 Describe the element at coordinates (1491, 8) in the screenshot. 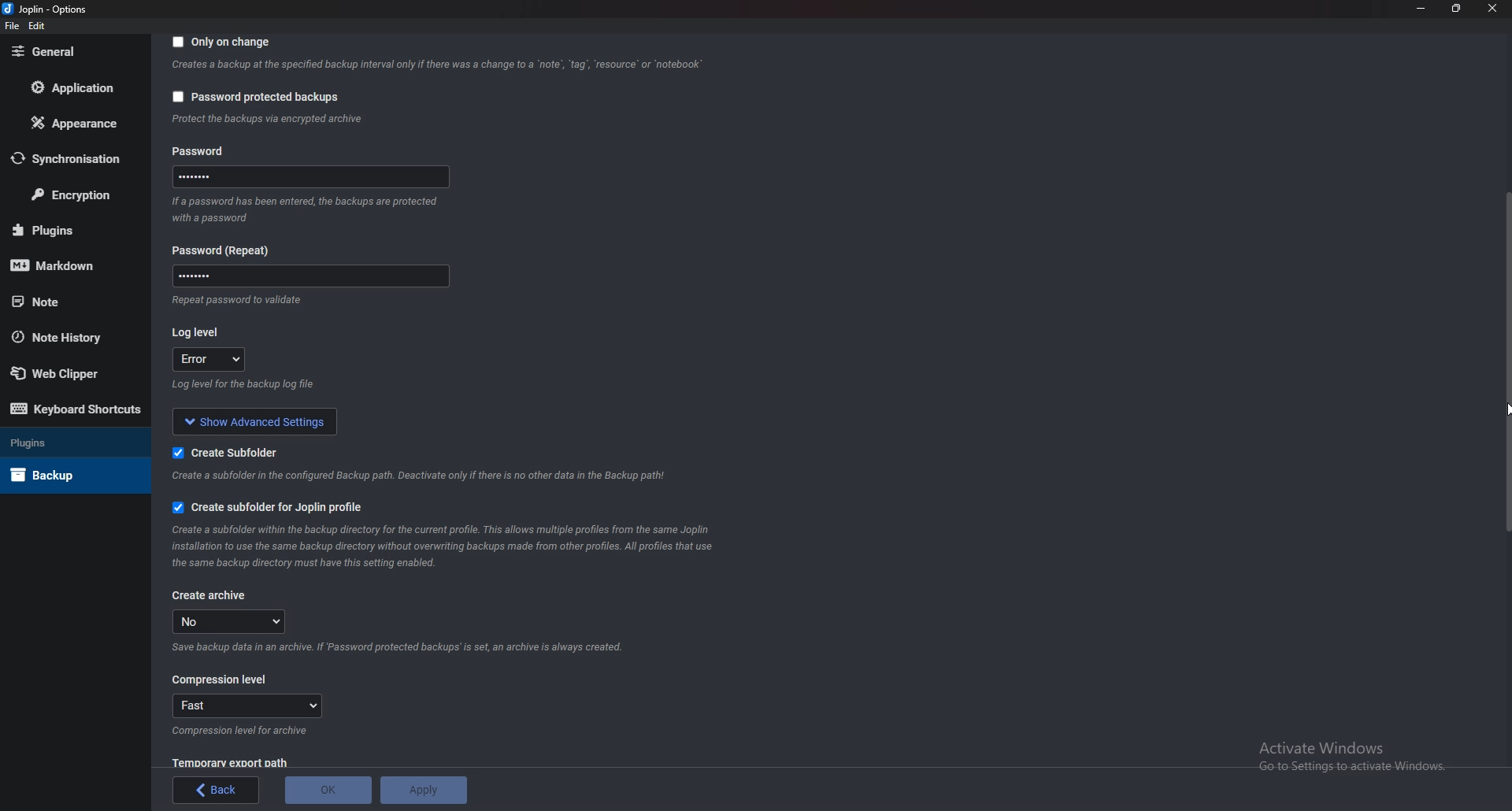

I see `close` at that location.